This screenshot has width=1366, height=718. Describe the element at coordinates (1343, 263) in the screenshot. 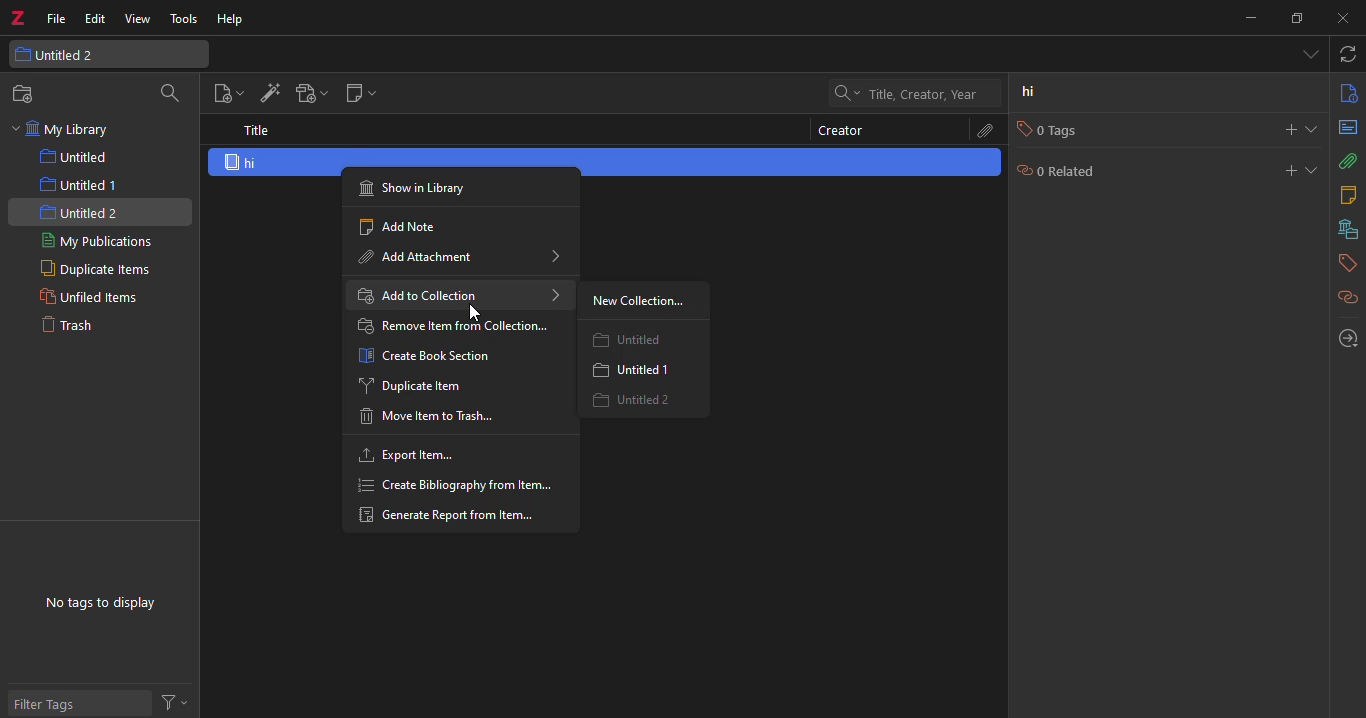

I see `tags` at that location.